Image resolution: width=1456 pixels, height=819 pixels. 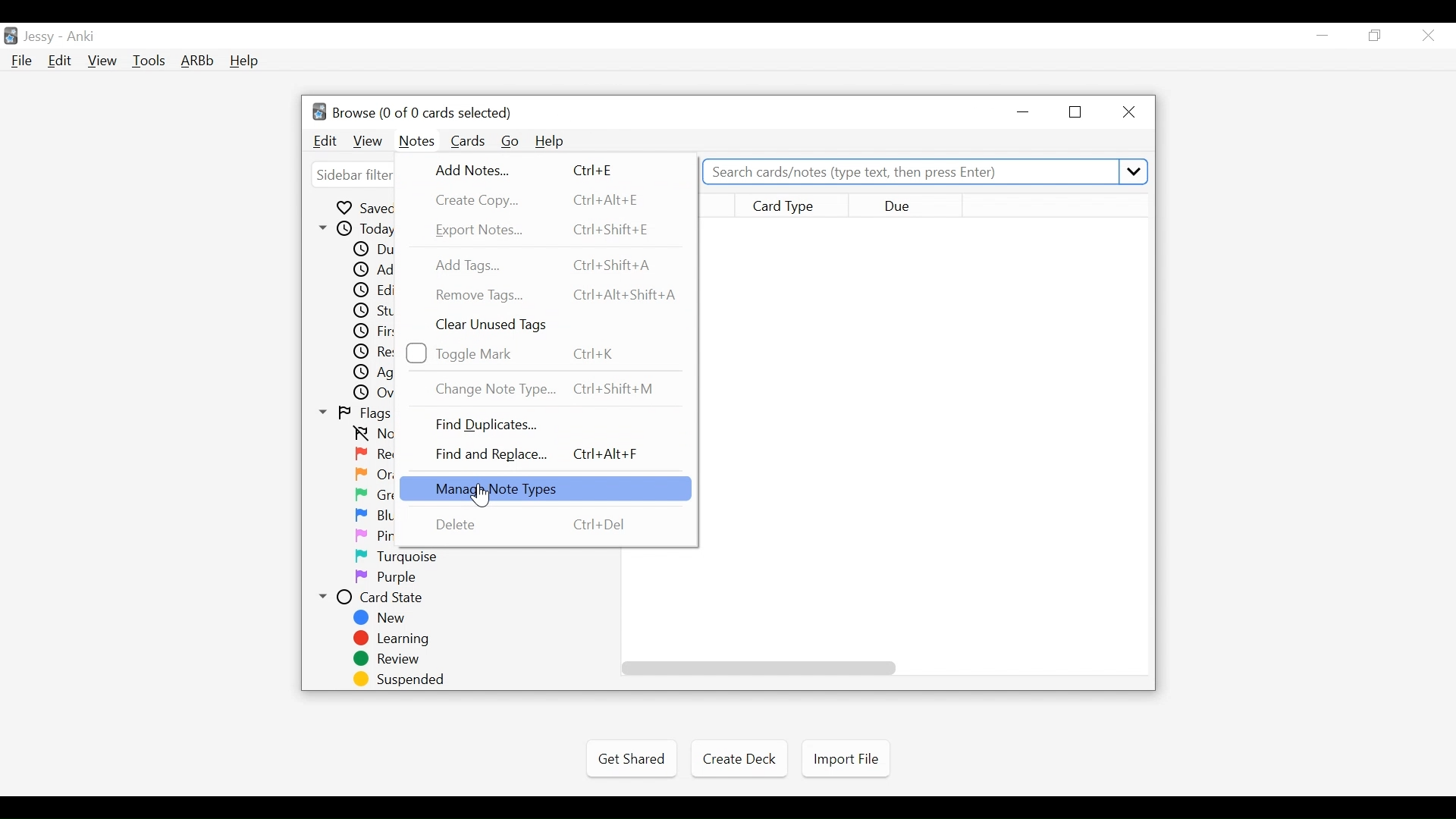 I want to click on Browse (number out of cards selected), so click(x=422, y=113).